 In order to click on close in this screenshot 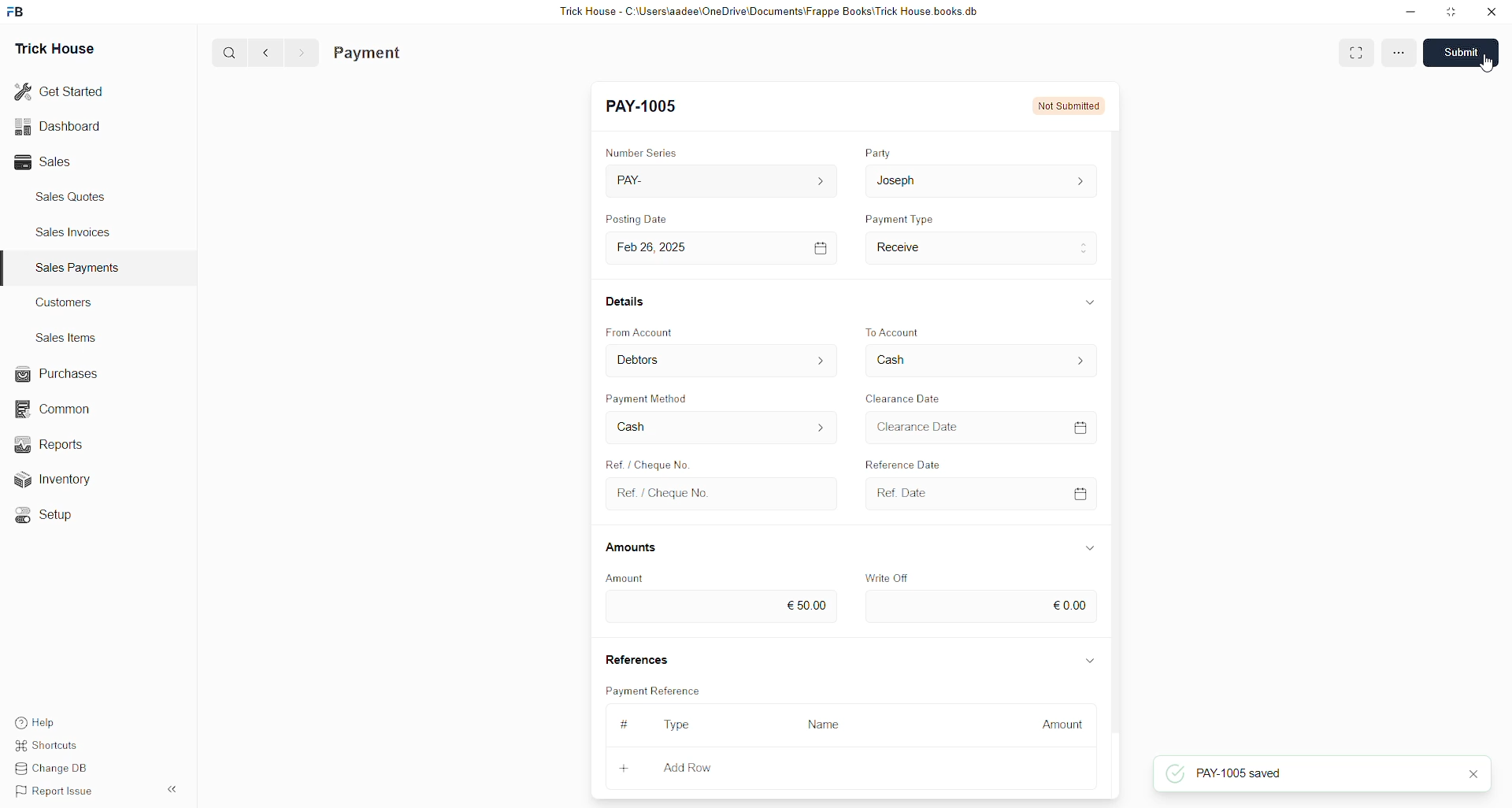, I will do `click(1473, 773)`.